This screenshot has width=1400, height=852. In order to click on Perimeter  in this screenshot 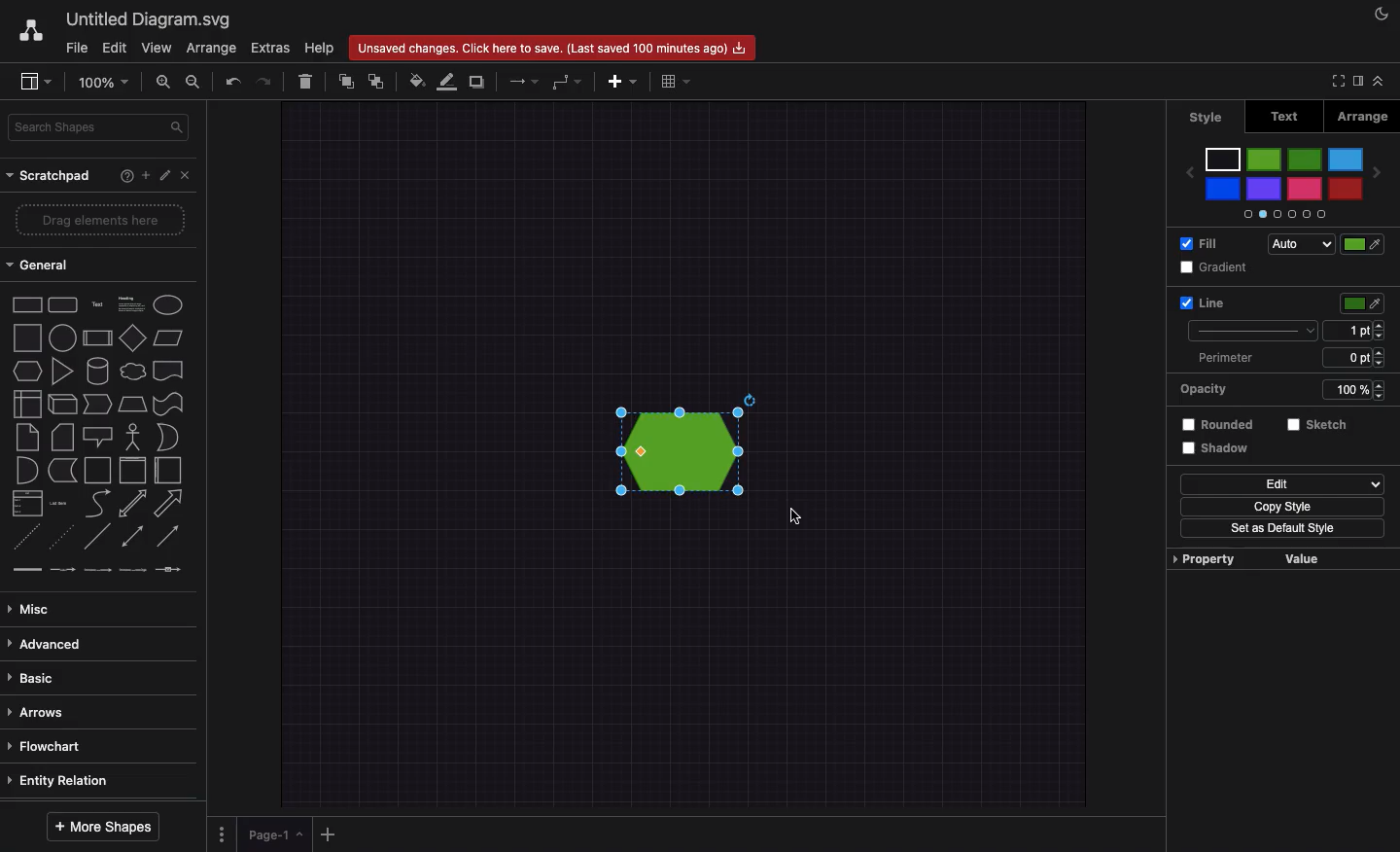, I will do `click(1292, 358)`.